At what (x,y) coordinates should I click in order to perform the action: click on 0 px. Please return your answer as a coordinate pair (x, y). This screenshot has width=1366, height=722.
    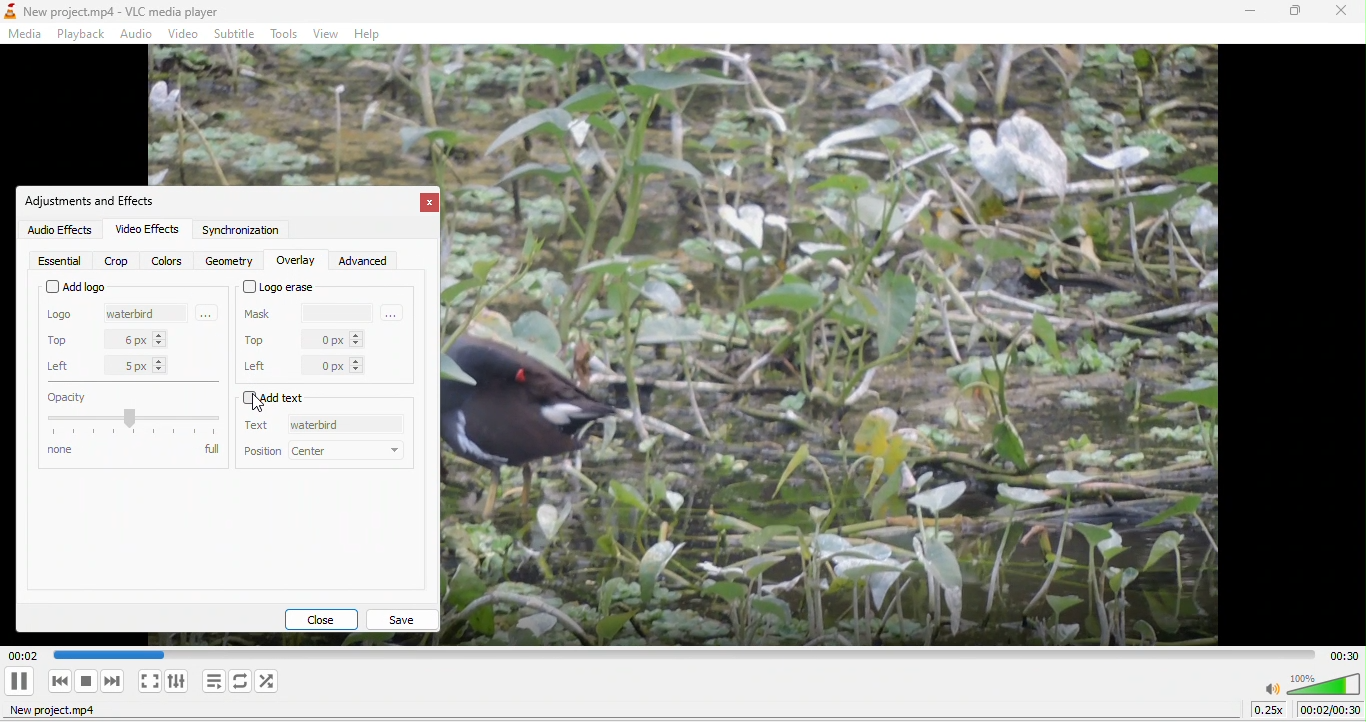
    Looking at the image, I should click on (339, 341).